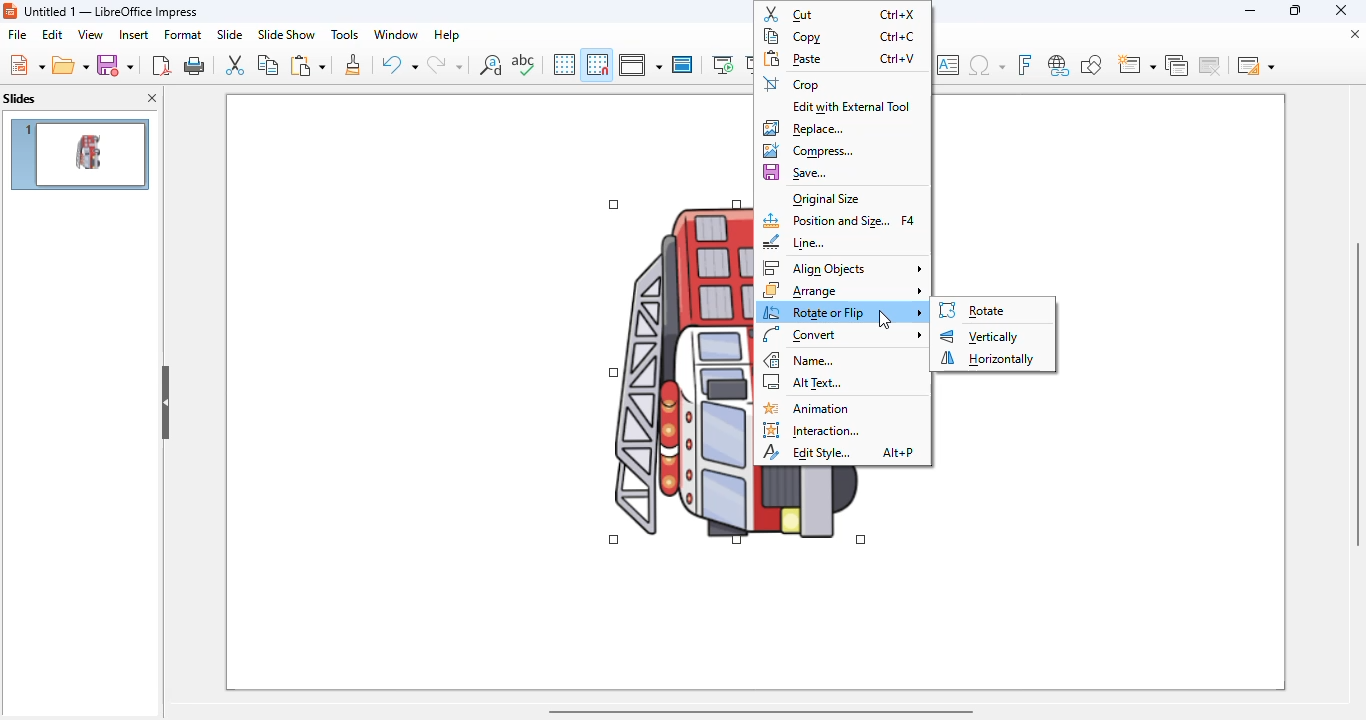 The height and width of the screenshot is (720, 1366). Describe the element at coordinates (841, 37) in the screenshot. I see `copy` at that location.